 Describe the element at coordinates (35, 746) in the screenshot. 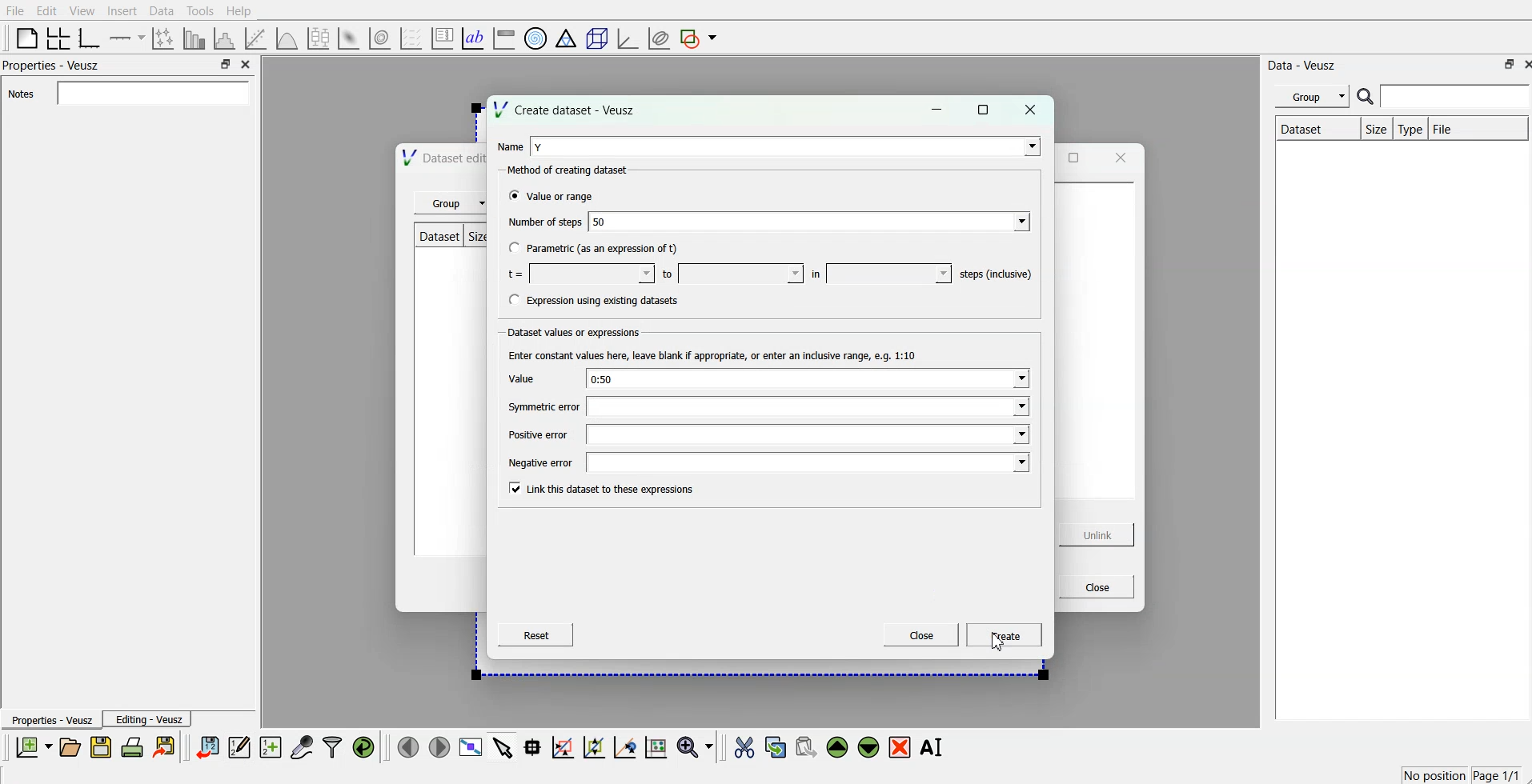

I see `new document` at that location.